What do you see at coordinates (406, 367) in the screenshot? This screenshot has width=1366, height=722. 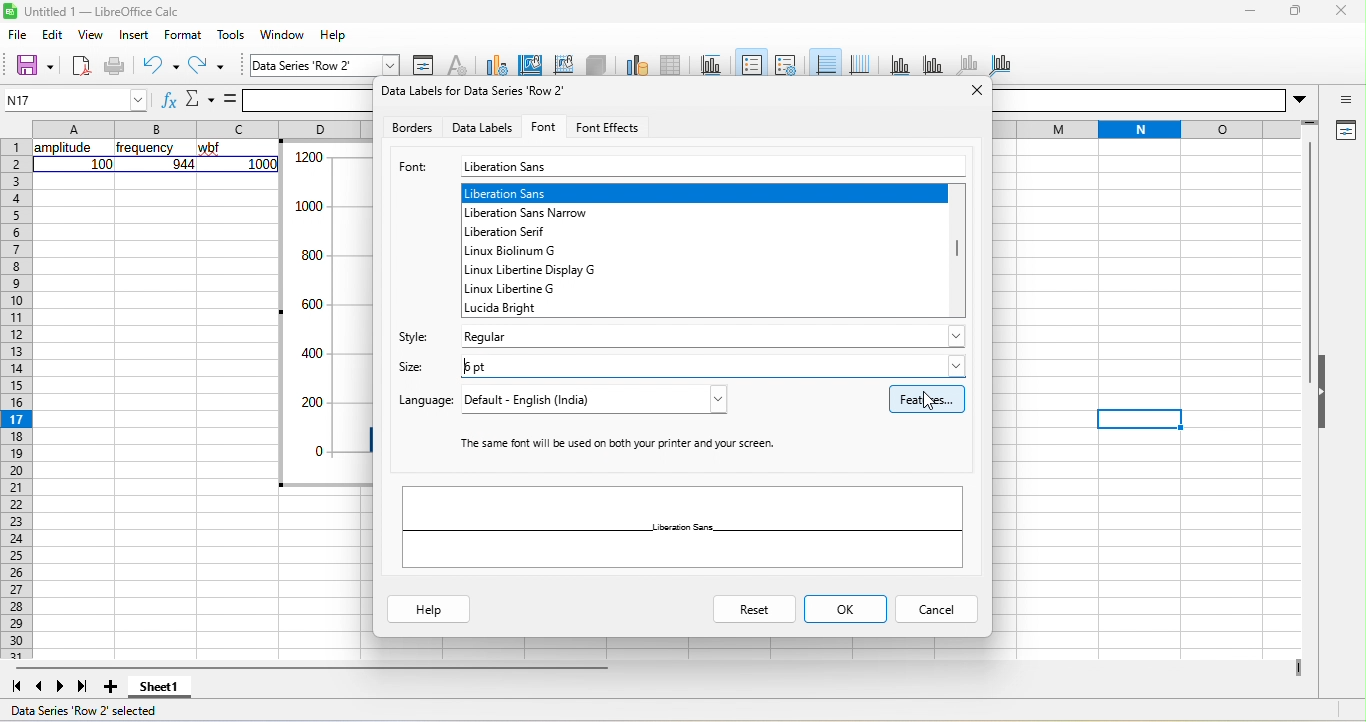 I see `size` at bounding box center [406, 367].